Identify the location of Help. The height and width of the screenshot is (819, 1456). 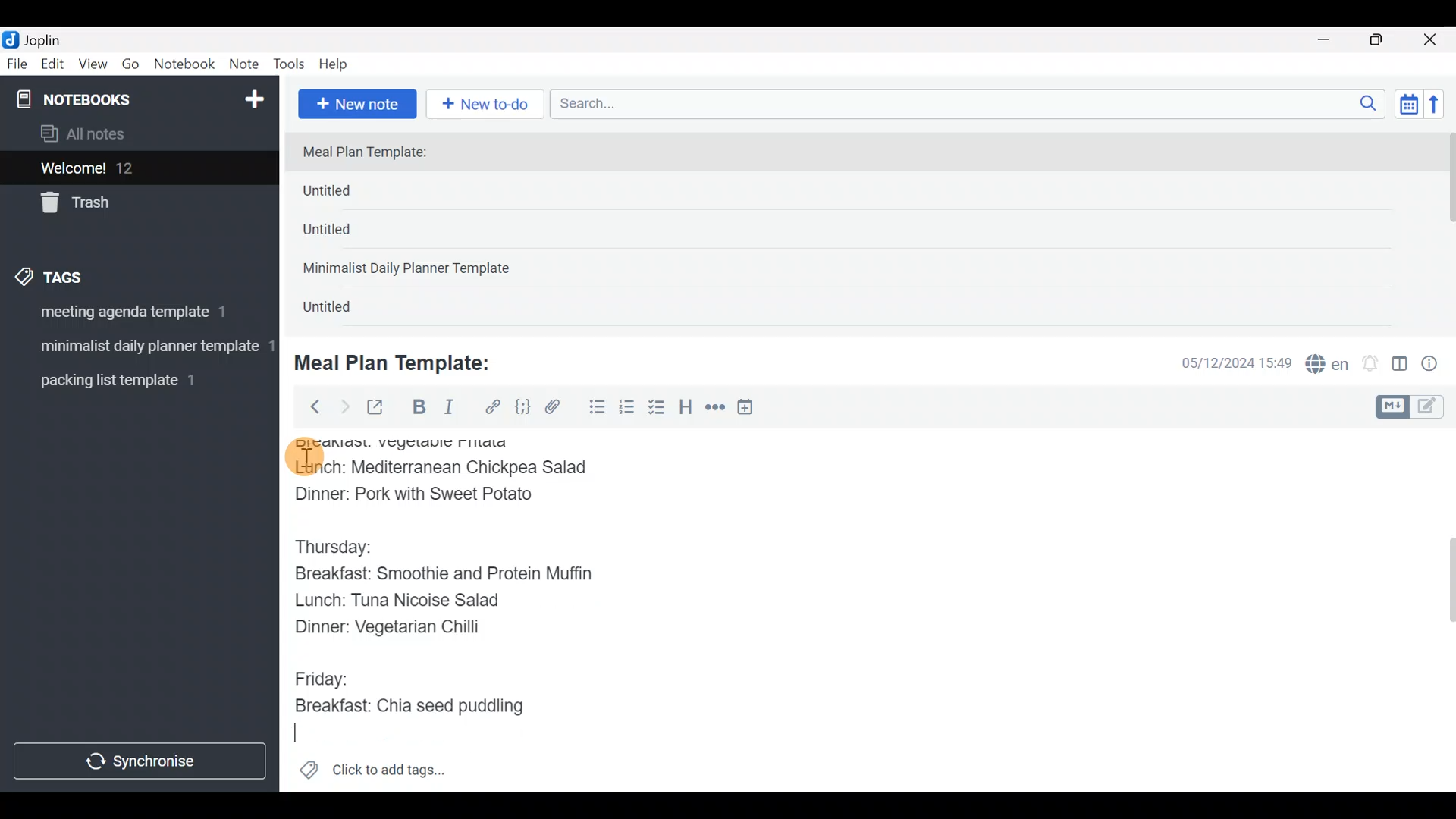
(339, 61).